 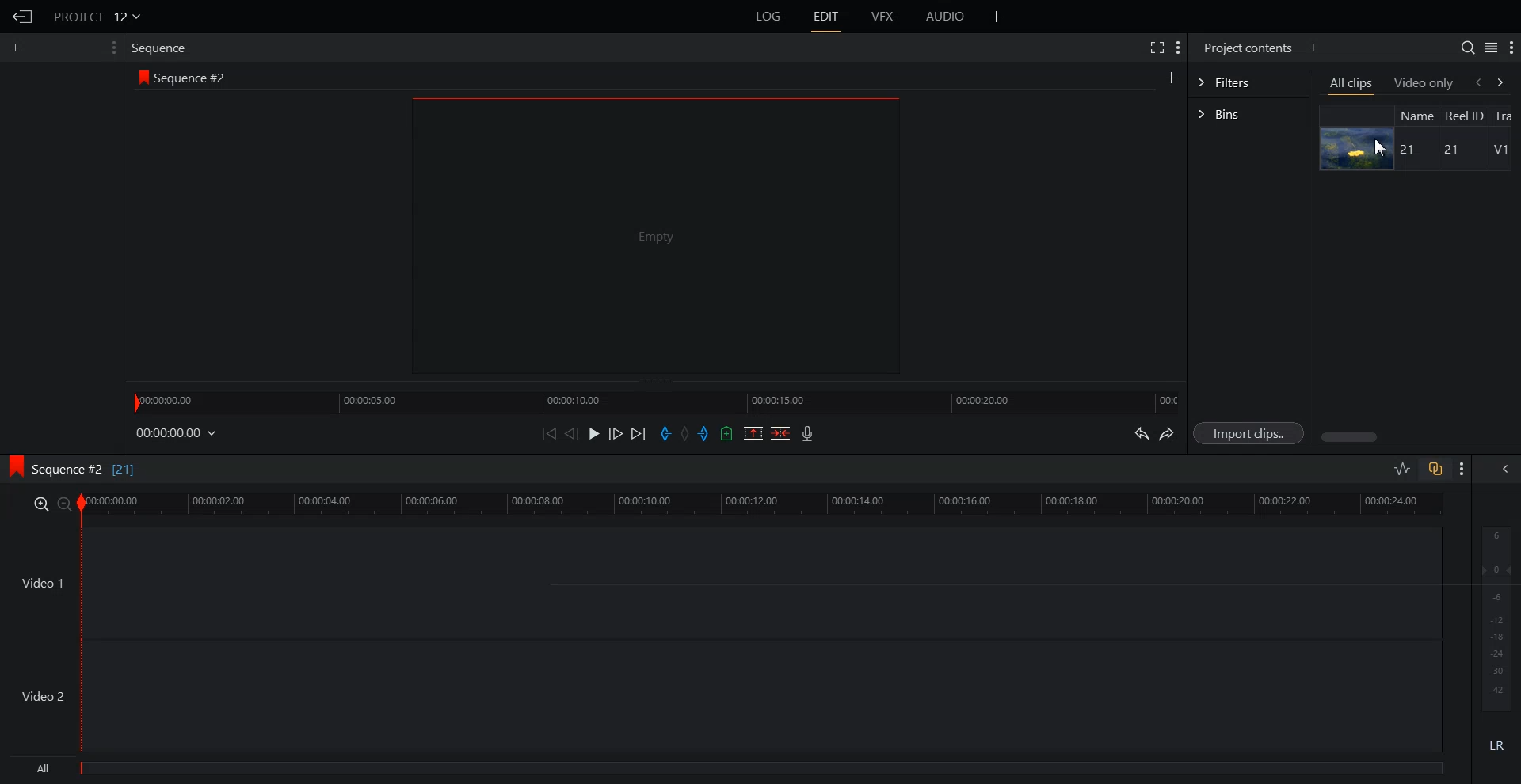 What do you see at coordinates (113, 48) in the screenshot?
I see `Show Setting Menu` at bounding box center [113, 48].